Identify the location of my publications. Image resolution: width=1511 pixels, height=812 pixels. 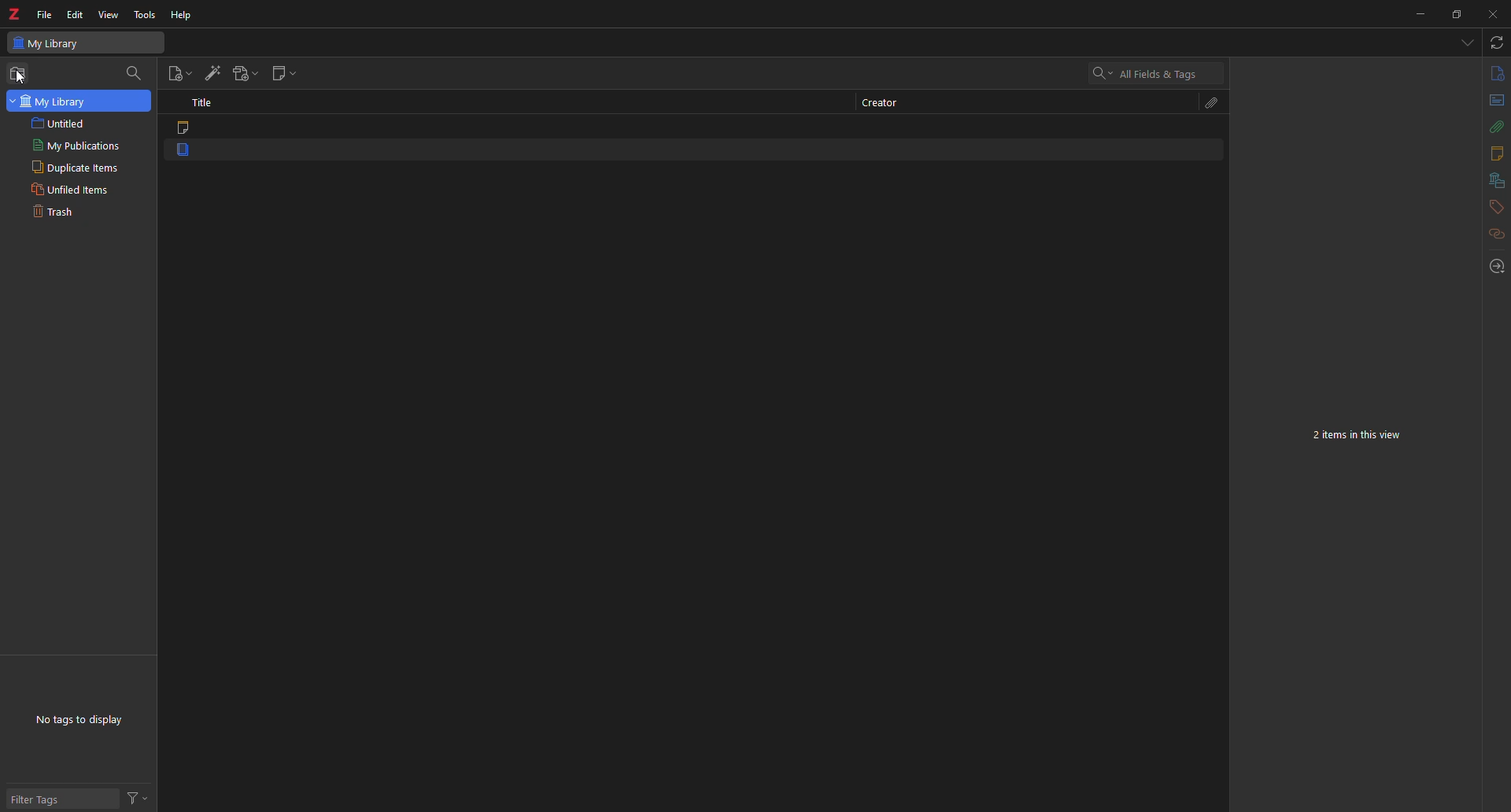
(73, 146).